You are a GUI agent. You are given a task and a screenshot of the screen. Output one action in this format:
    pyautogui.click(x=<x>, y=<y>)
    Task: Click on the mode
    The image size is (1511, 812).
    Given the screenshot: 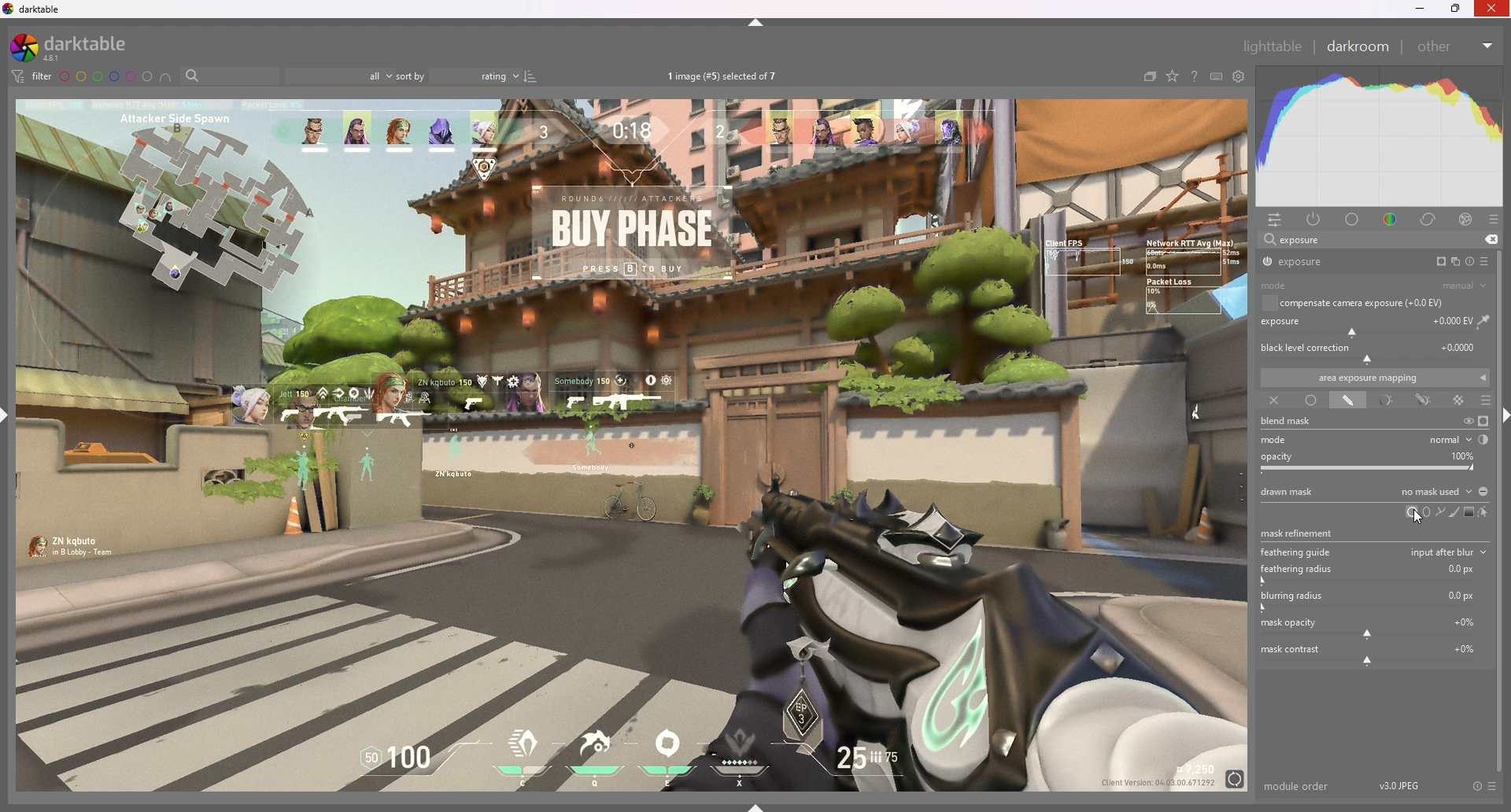 What is the action you would take?
    pyautogui.click(x=1378, y=439)
    